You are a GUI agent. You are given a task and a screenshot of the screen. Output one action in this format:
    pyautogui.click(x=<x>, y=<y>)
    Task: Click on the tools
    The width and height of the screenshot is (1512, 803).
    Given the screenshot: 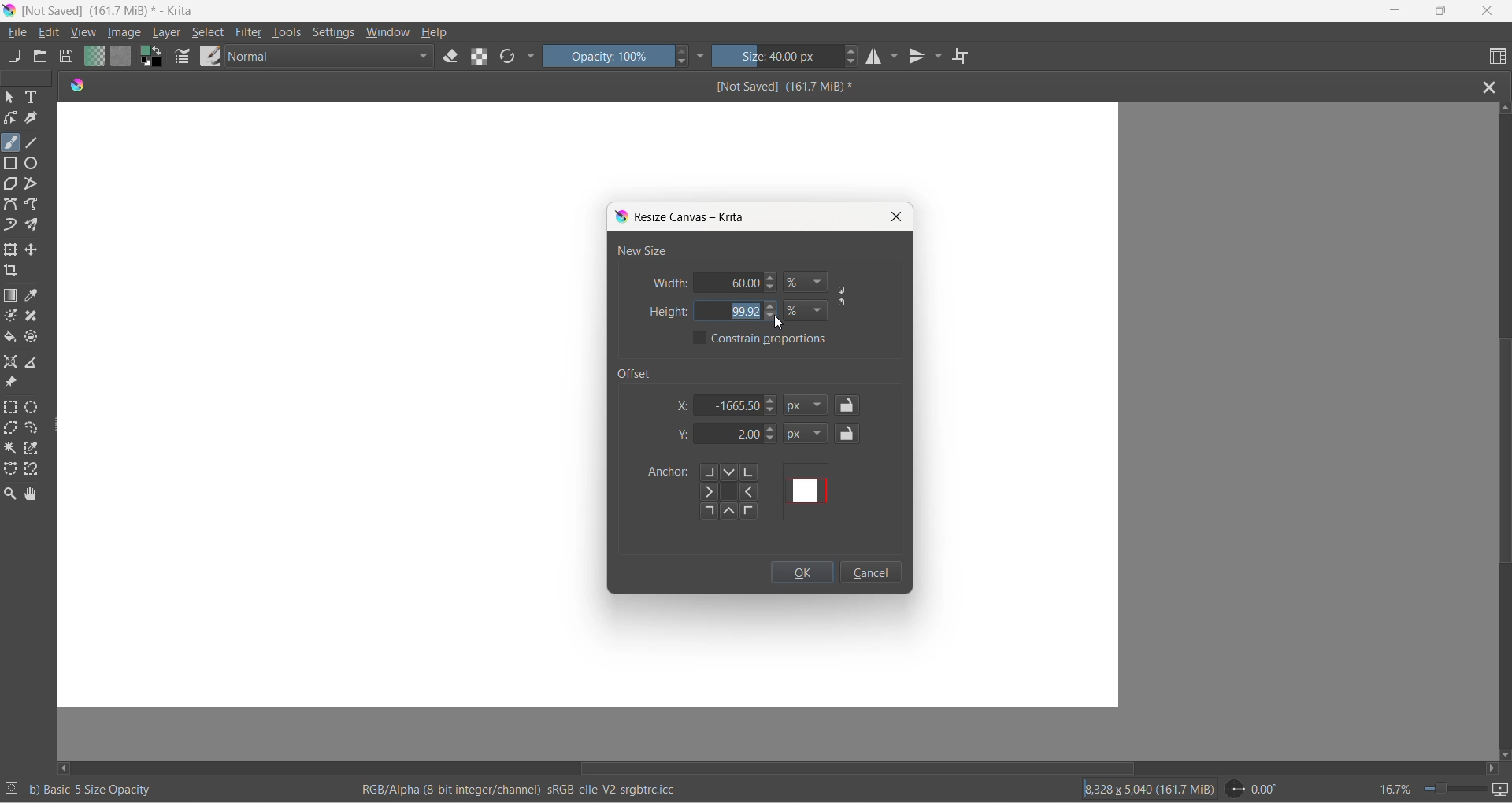 What is the action you would take?
    pyautogui.click(x=289, y=35)
    